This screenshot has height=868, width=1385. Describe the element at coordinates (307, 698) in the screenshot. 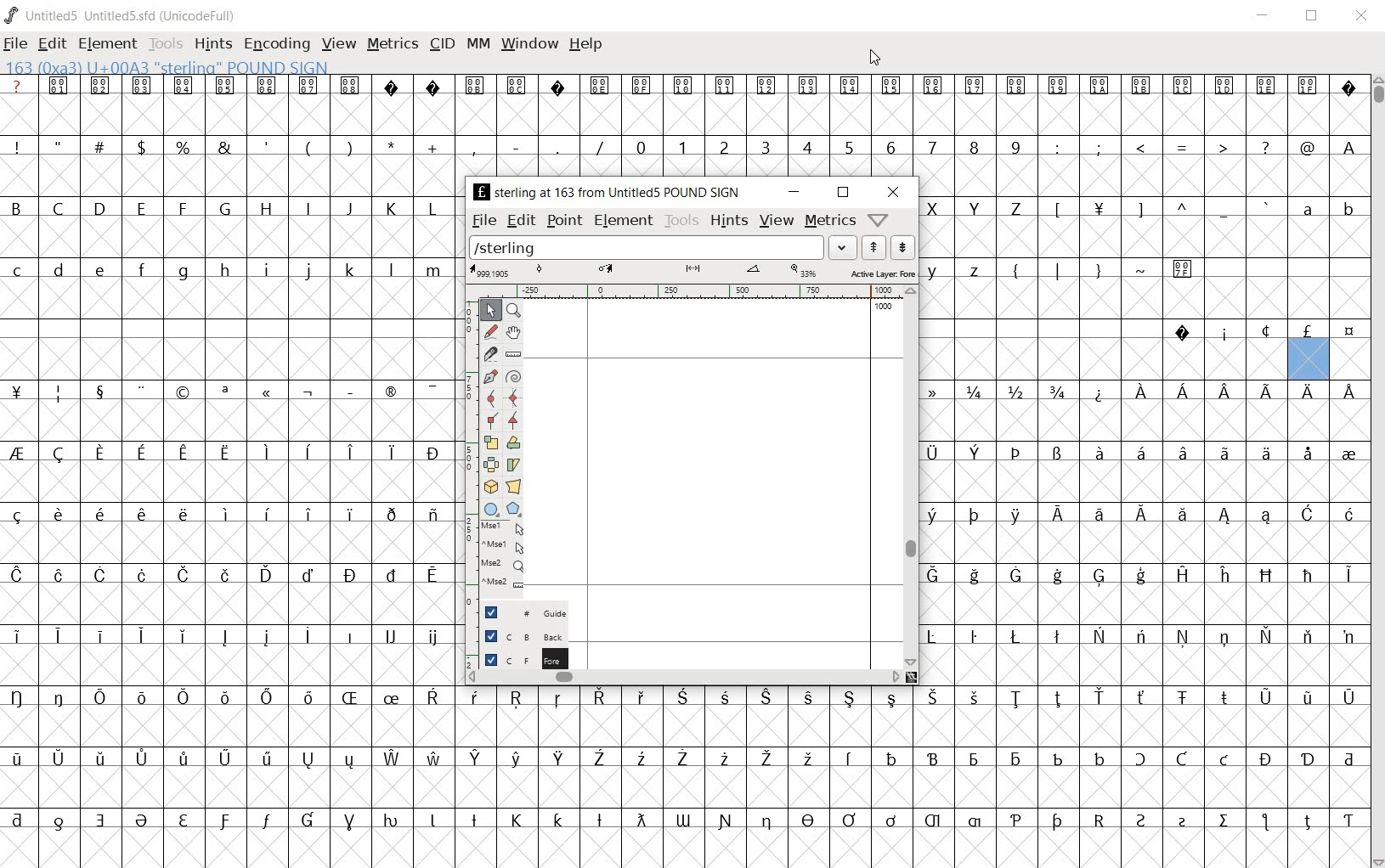

I see `Symbol` at that location.